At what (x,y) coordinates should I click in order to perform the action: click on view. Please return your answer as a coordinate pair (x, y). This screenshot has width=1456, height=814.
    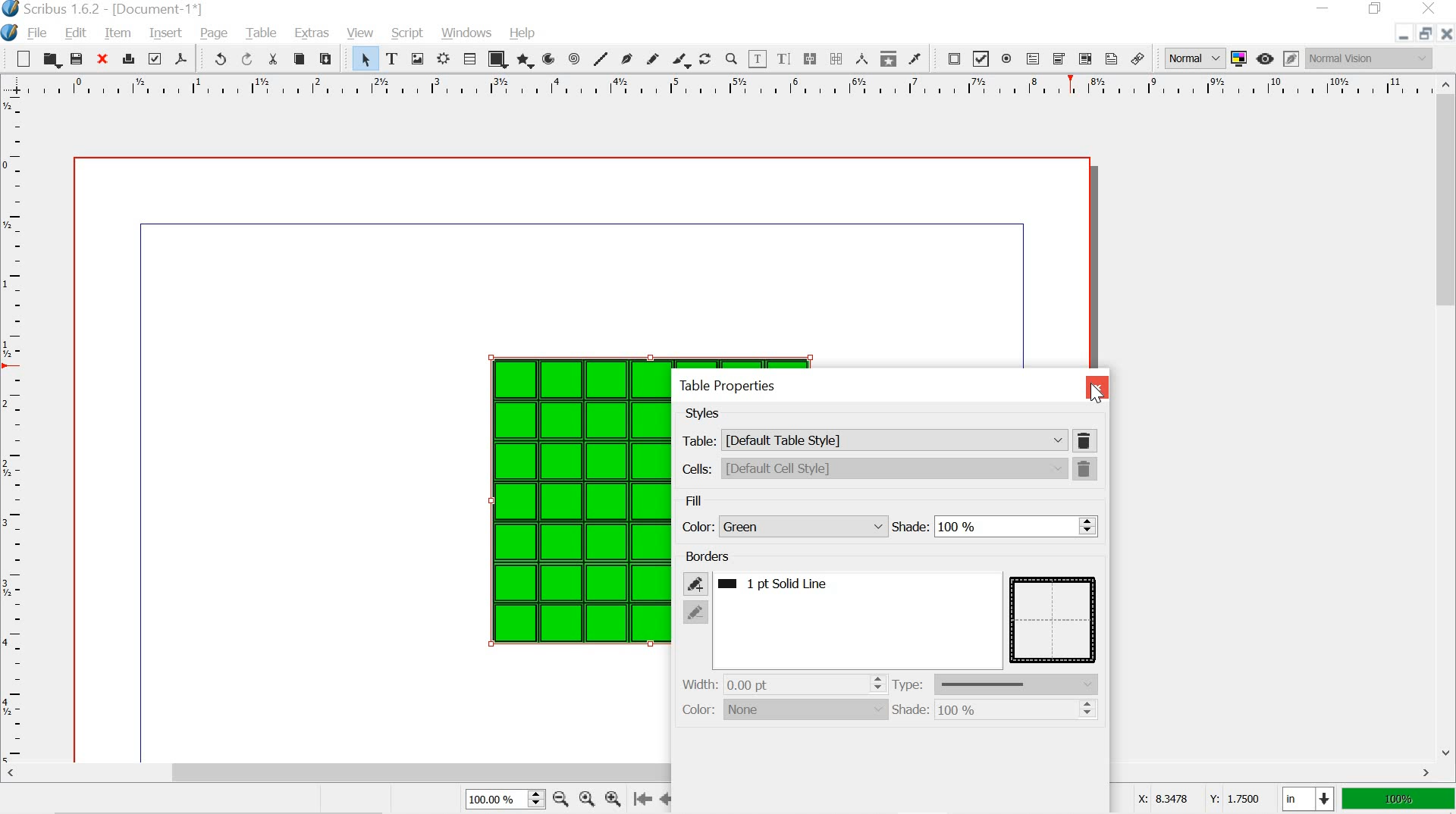
    Looking at the image, I should click on (361, 33).